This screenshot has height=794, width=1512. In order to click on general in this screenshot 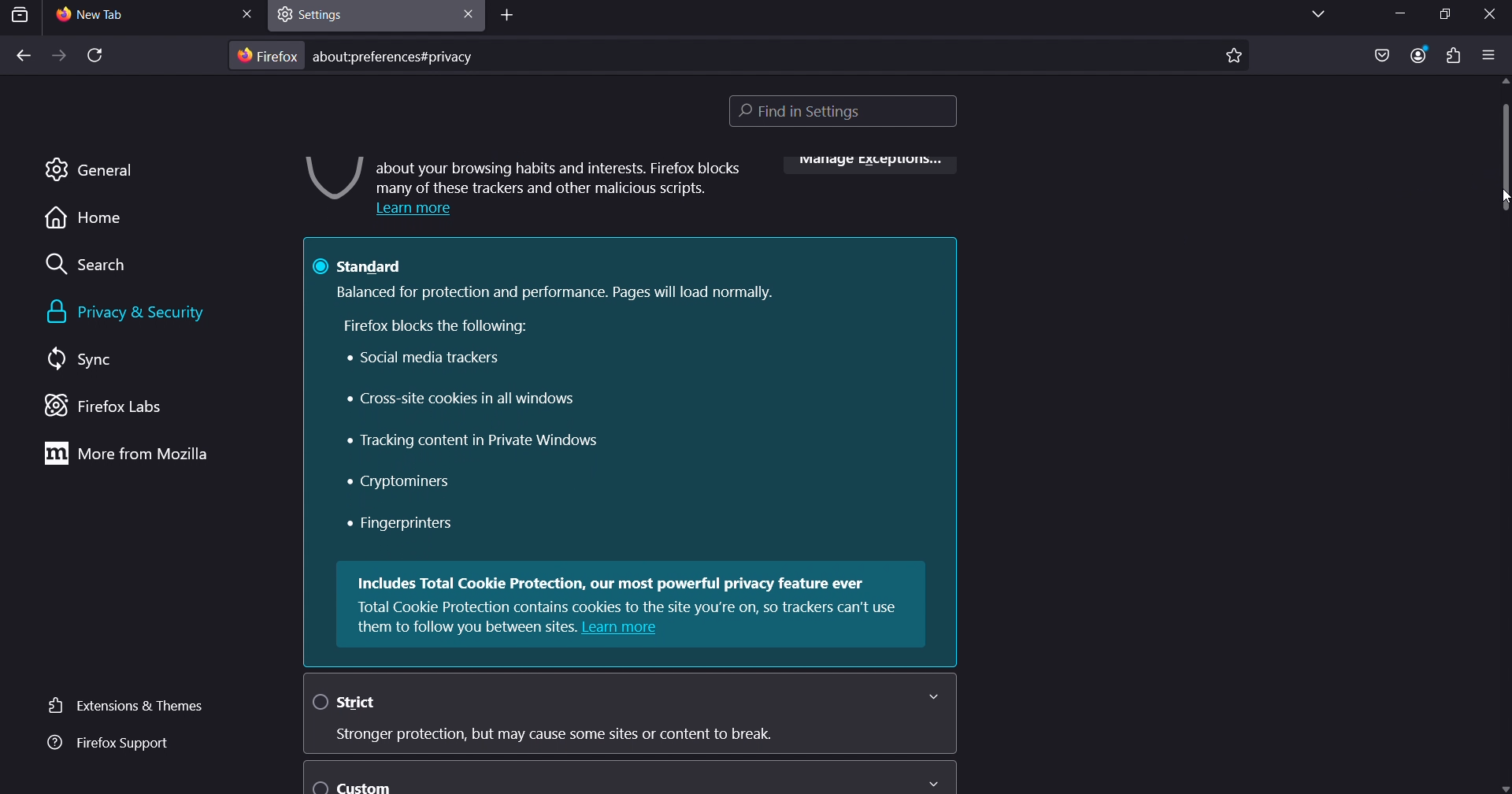, I will do `click(89, 168)`.